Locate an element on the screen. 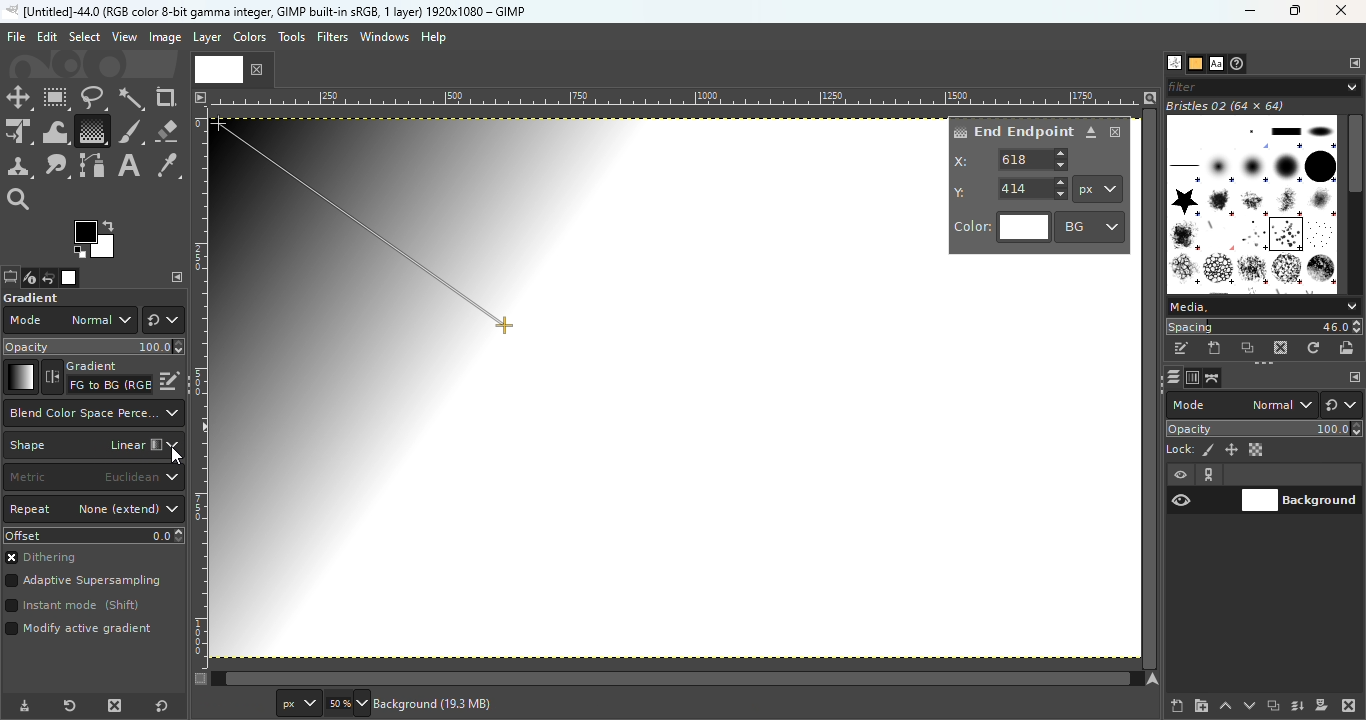 The image size is (1366, 720). 460,100 is located at coordinates (231, 702).